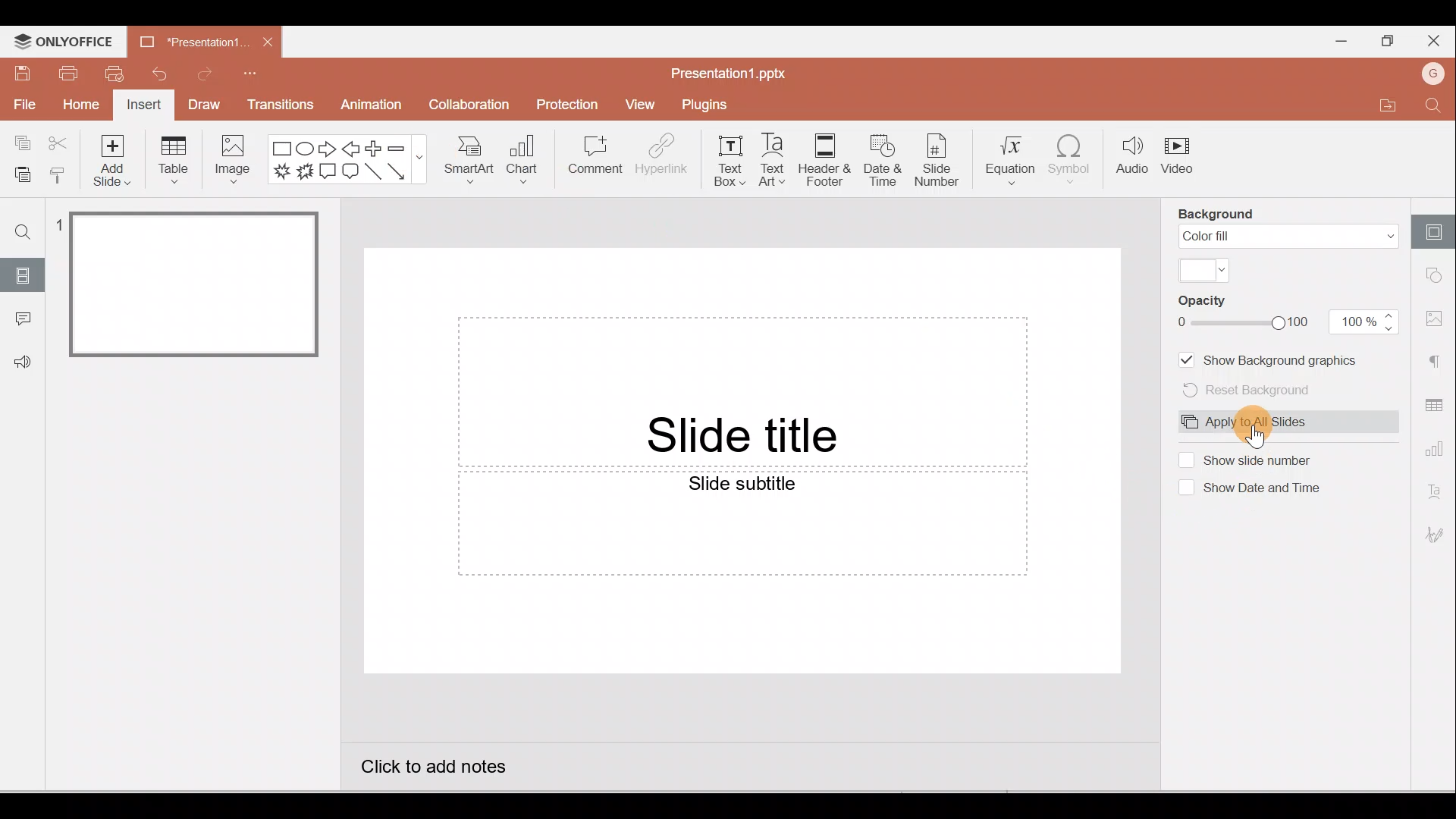  What do you see at coordinates (23, 318) in the screenshot?
I see `Comment` at bounding box center [23, 318].